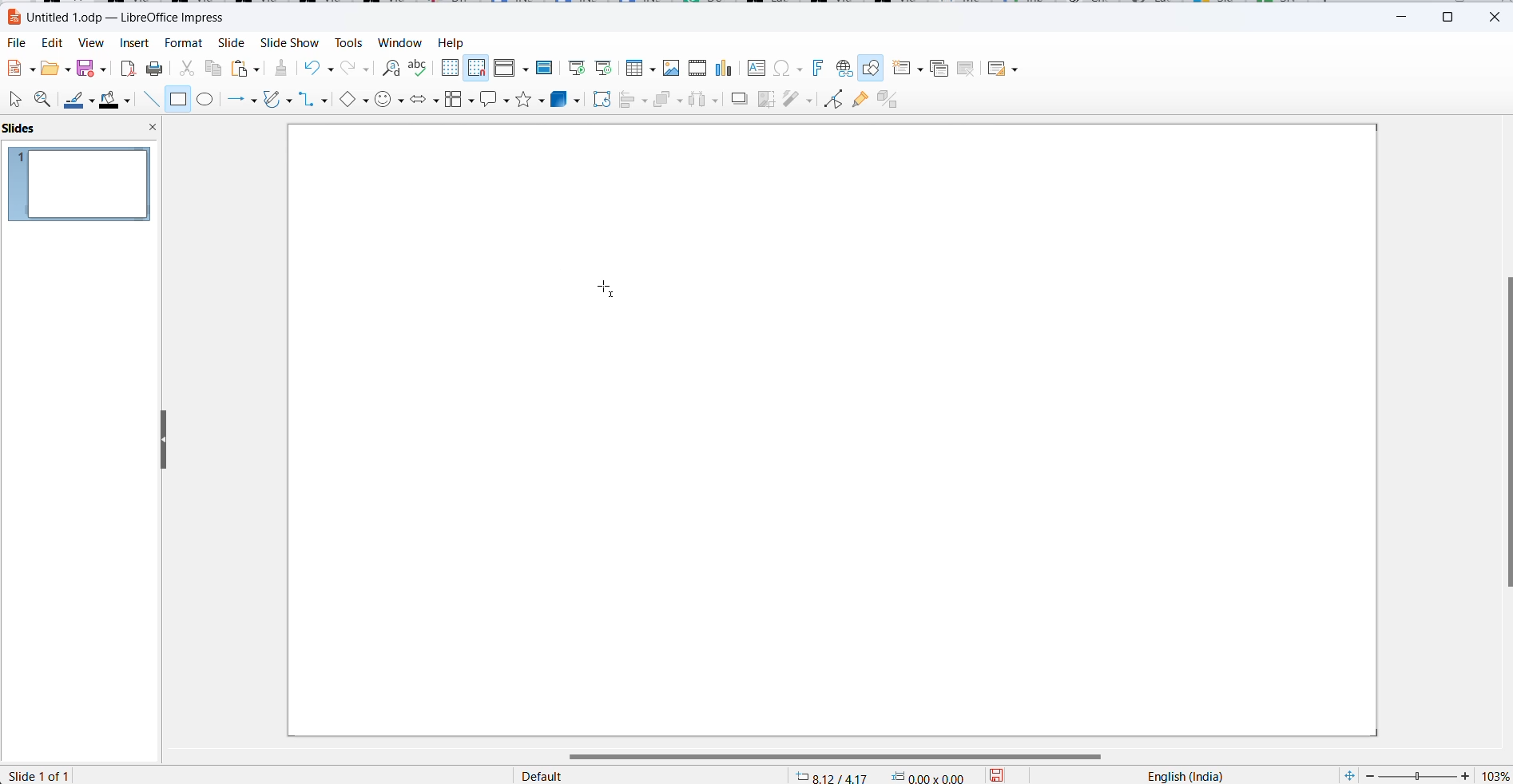 The height and width of the screenshot is (784, 1513). Describe the element at coordinates (566, 100) in the screenshot. I see `3d objects ` at that location.